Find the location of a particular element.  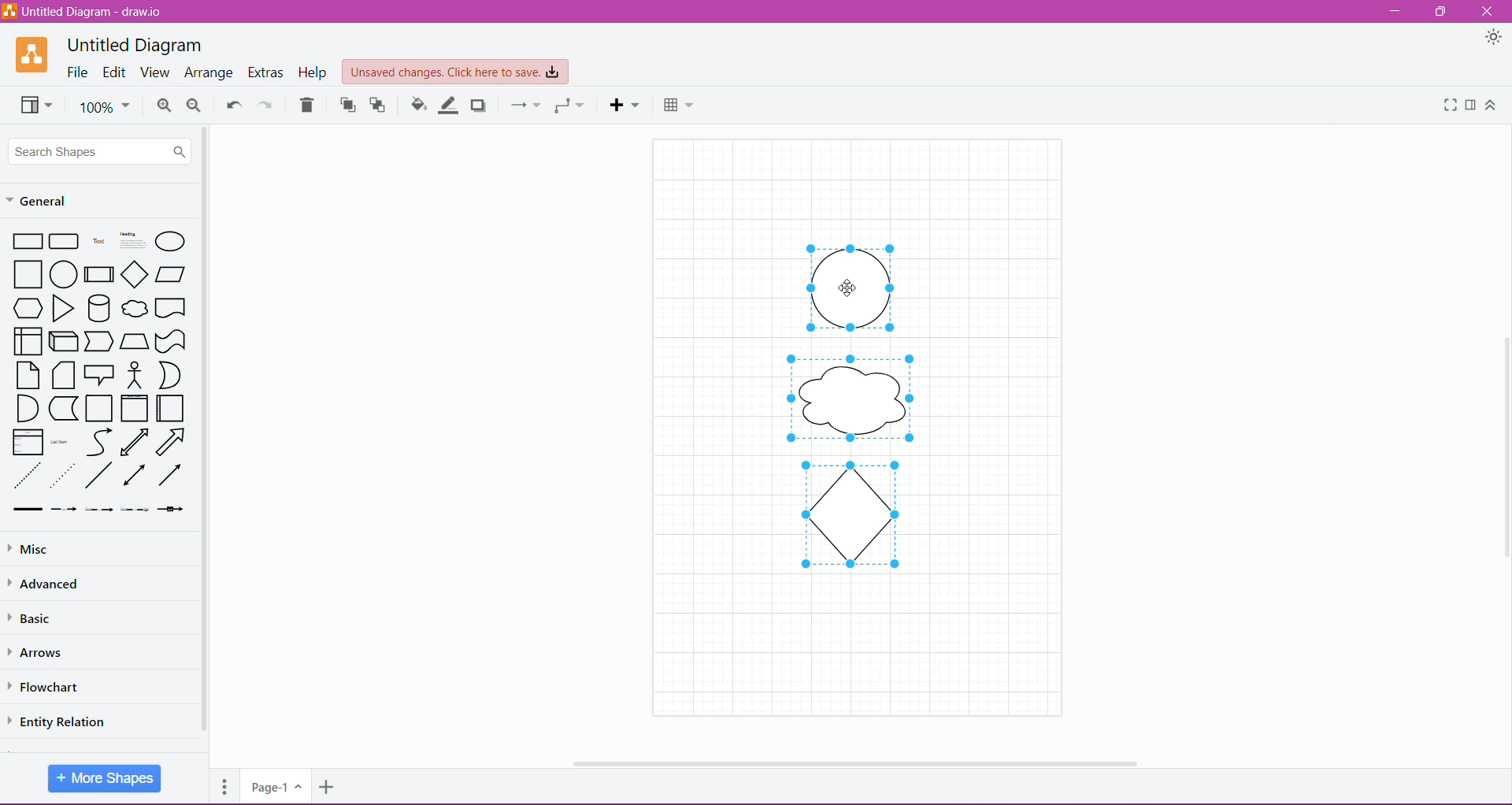

Connection is located at coordinates (522, 104).